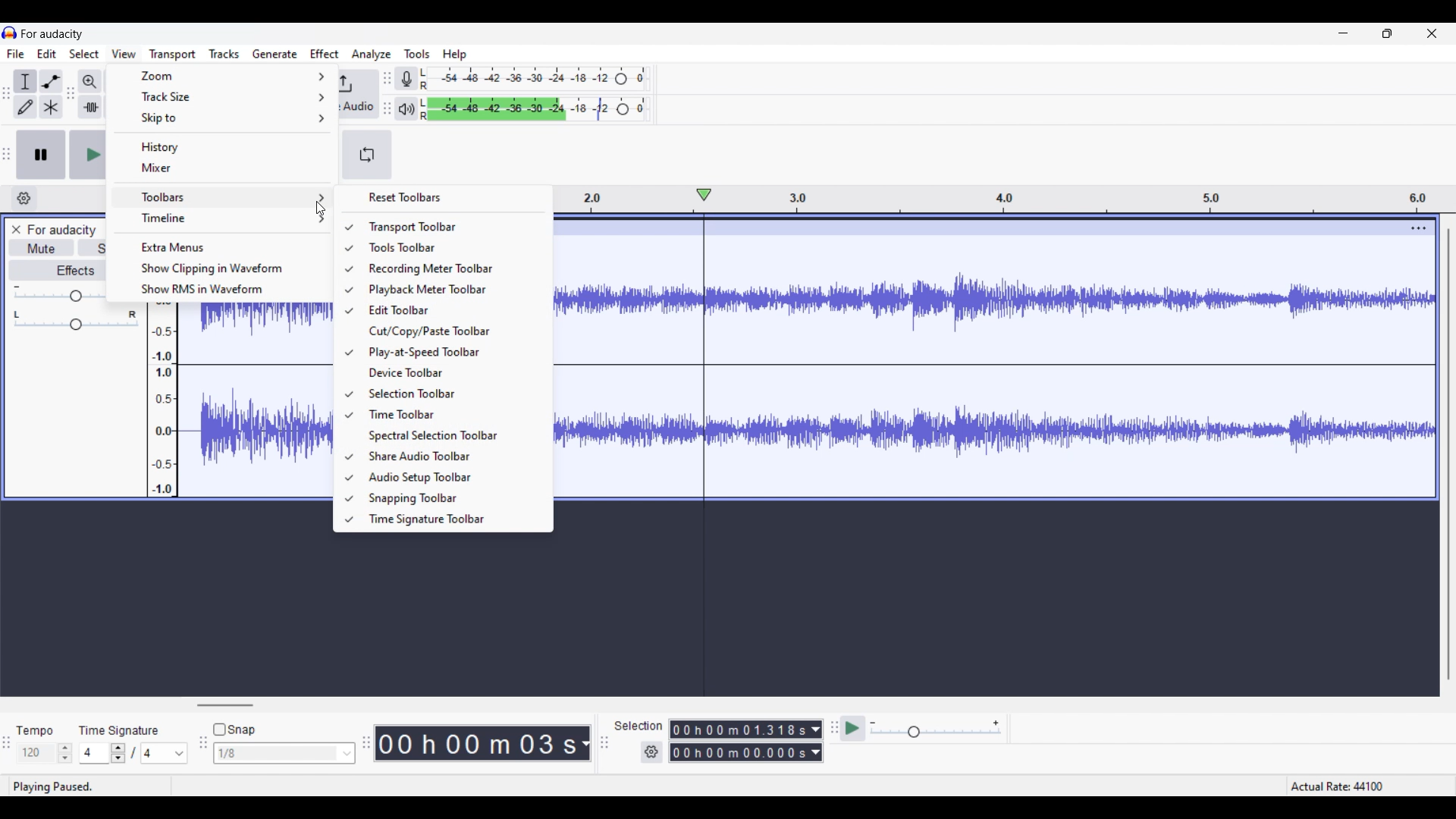 The image size is (1456, 819). What do you see at coordinates (10, 33) in the screenshot?
I see `Software logo` at bounding box center [10, 33].